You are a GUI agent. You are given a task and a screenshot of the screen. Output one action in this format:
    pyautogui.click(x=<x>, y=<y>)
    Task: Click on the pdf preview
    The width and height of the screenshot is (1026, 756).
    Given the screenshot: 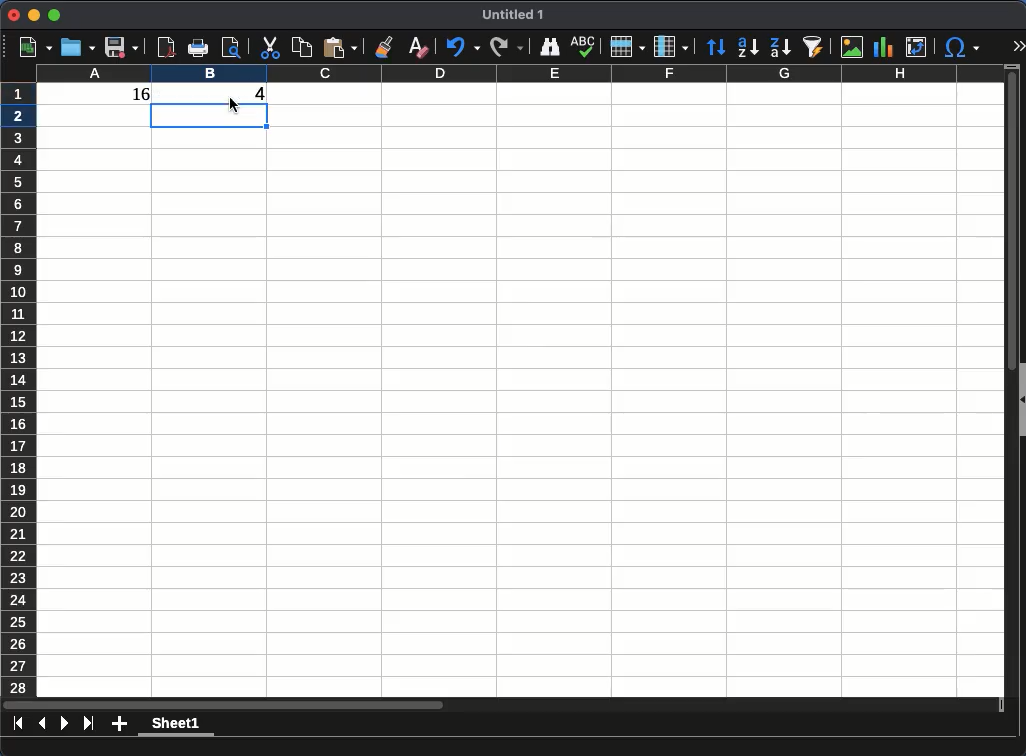 What is the action you would take?
    pyautogui.click(x=167, y=47)
    